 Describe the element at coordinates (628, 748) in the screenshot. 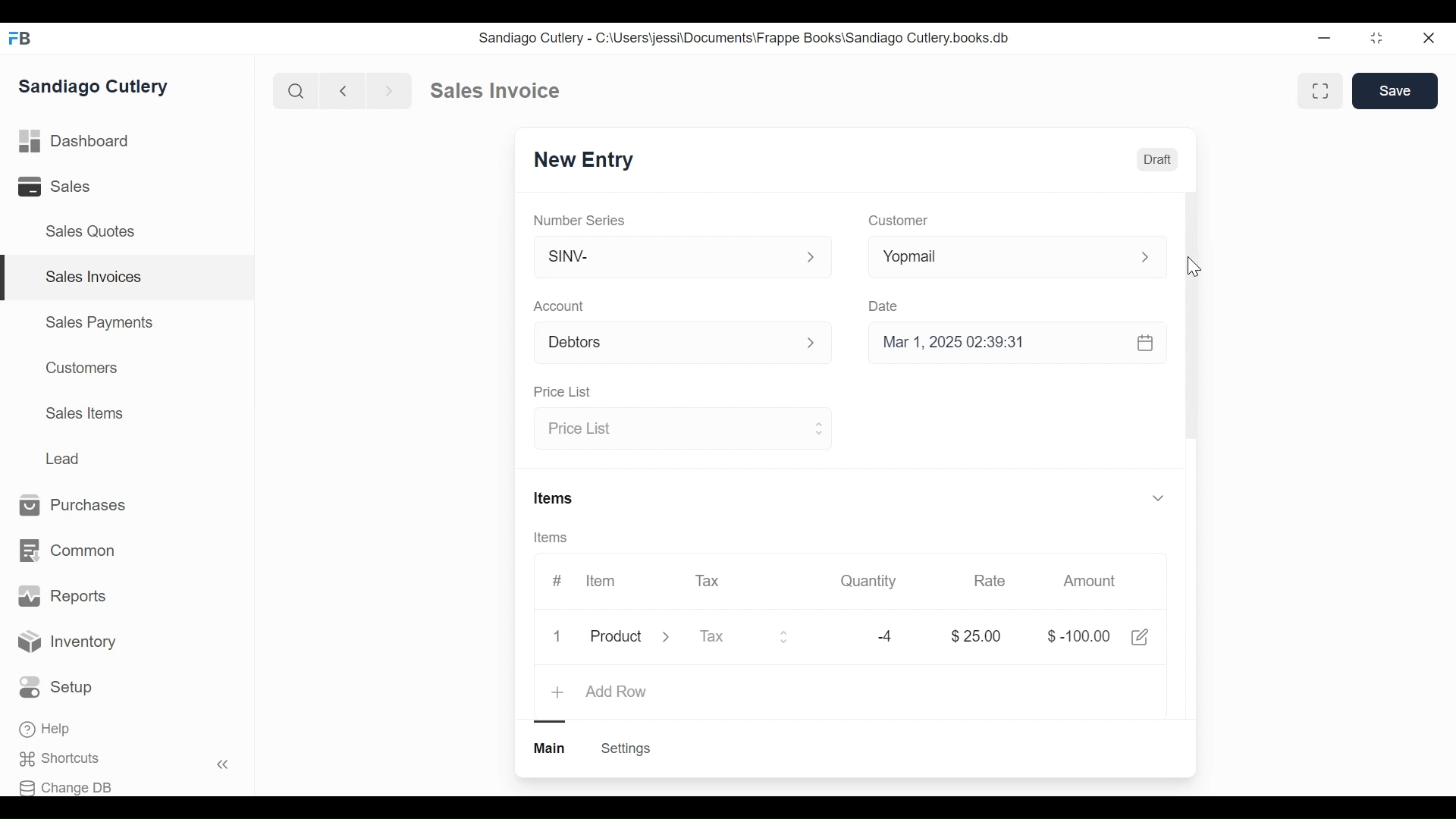

I see `Settings` at that location.